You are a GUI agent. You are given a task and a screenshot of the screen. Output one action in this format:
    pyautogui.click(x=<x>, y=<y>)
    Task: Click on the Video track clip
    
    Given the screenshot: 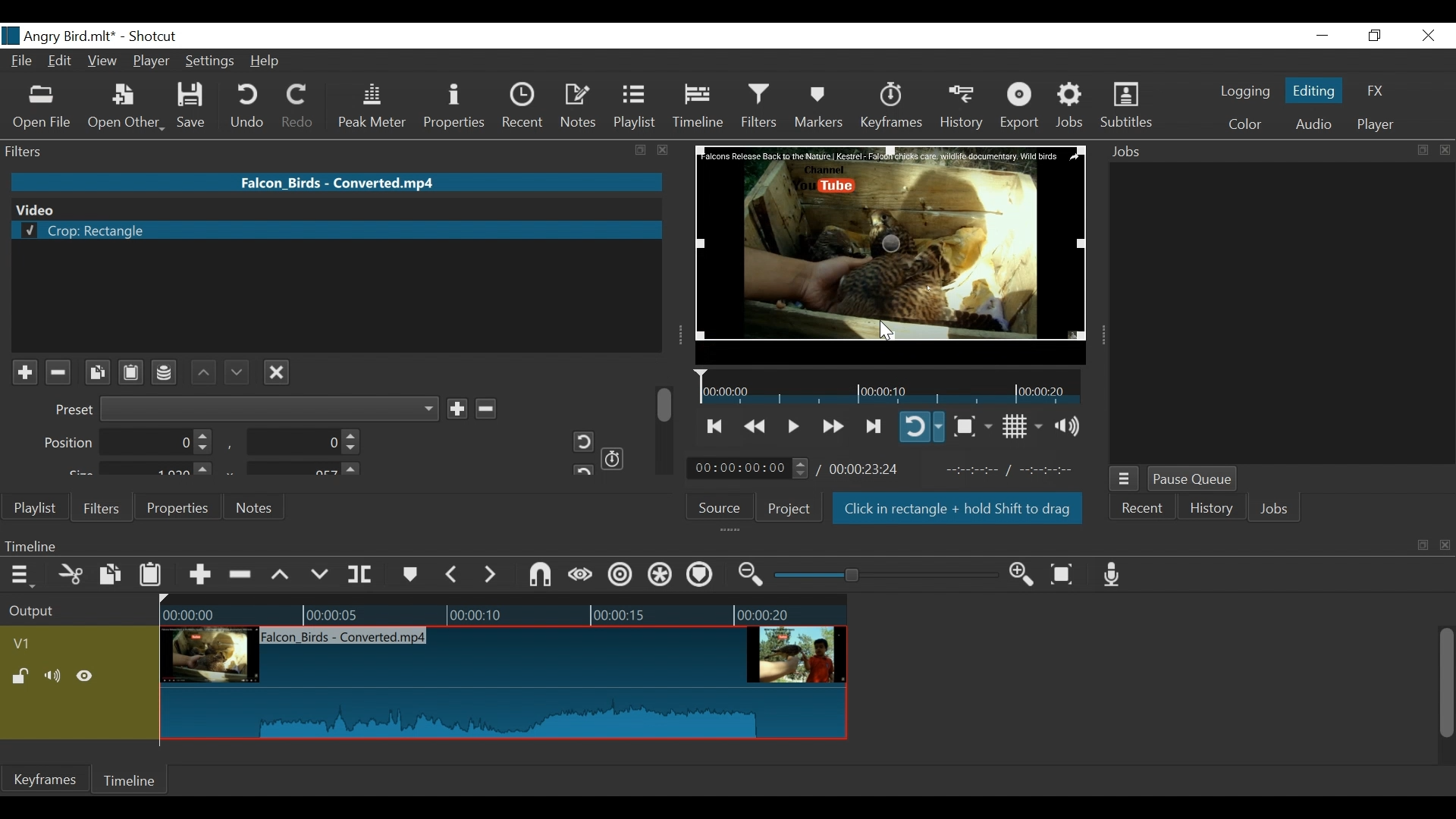 What is the action you would take?
    pyautogui.click(x=504, y=684)
    